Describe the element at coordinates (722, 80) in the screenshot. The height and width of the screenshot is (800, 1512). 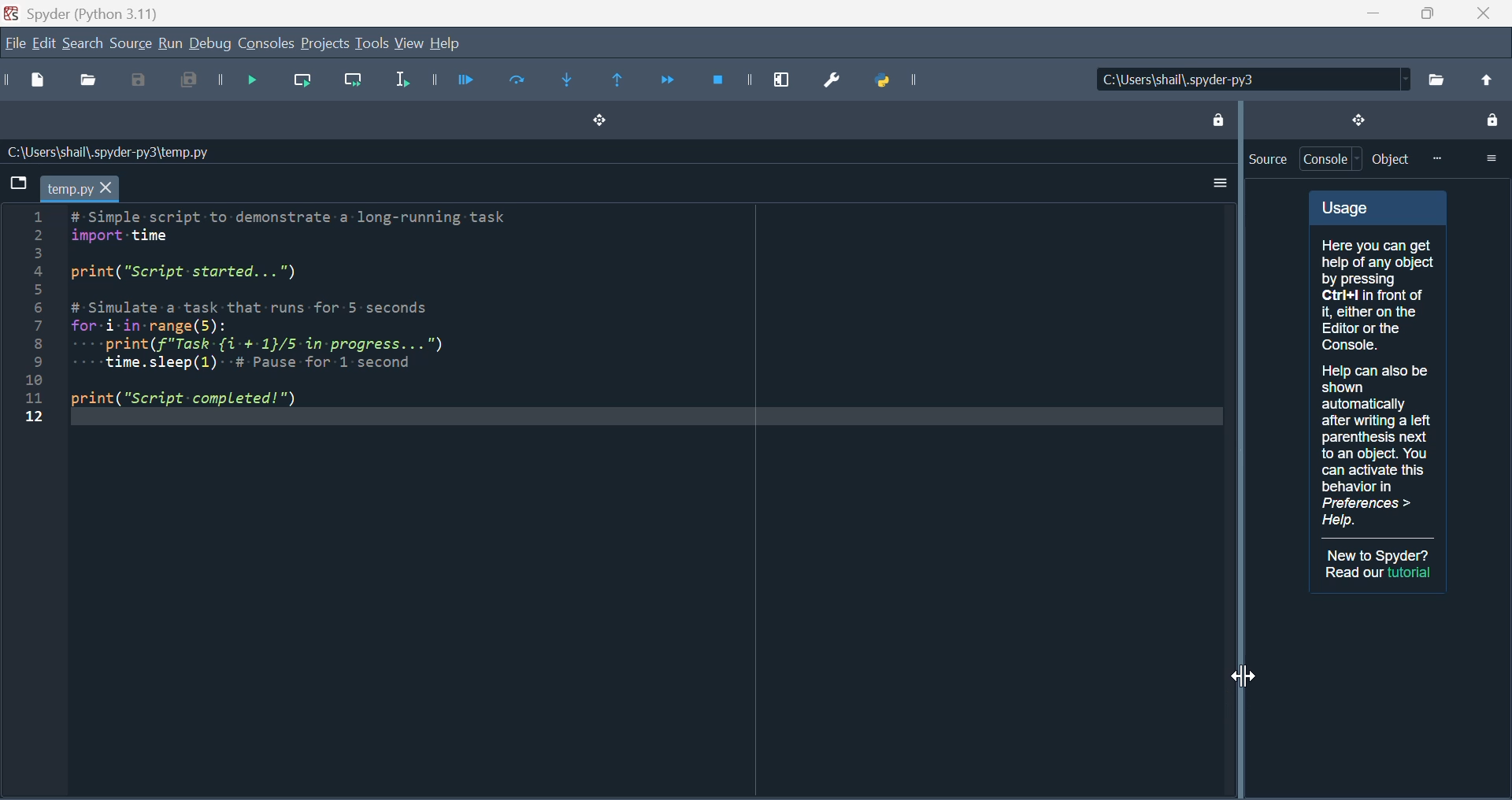
I see `Stop debugging` at that location.